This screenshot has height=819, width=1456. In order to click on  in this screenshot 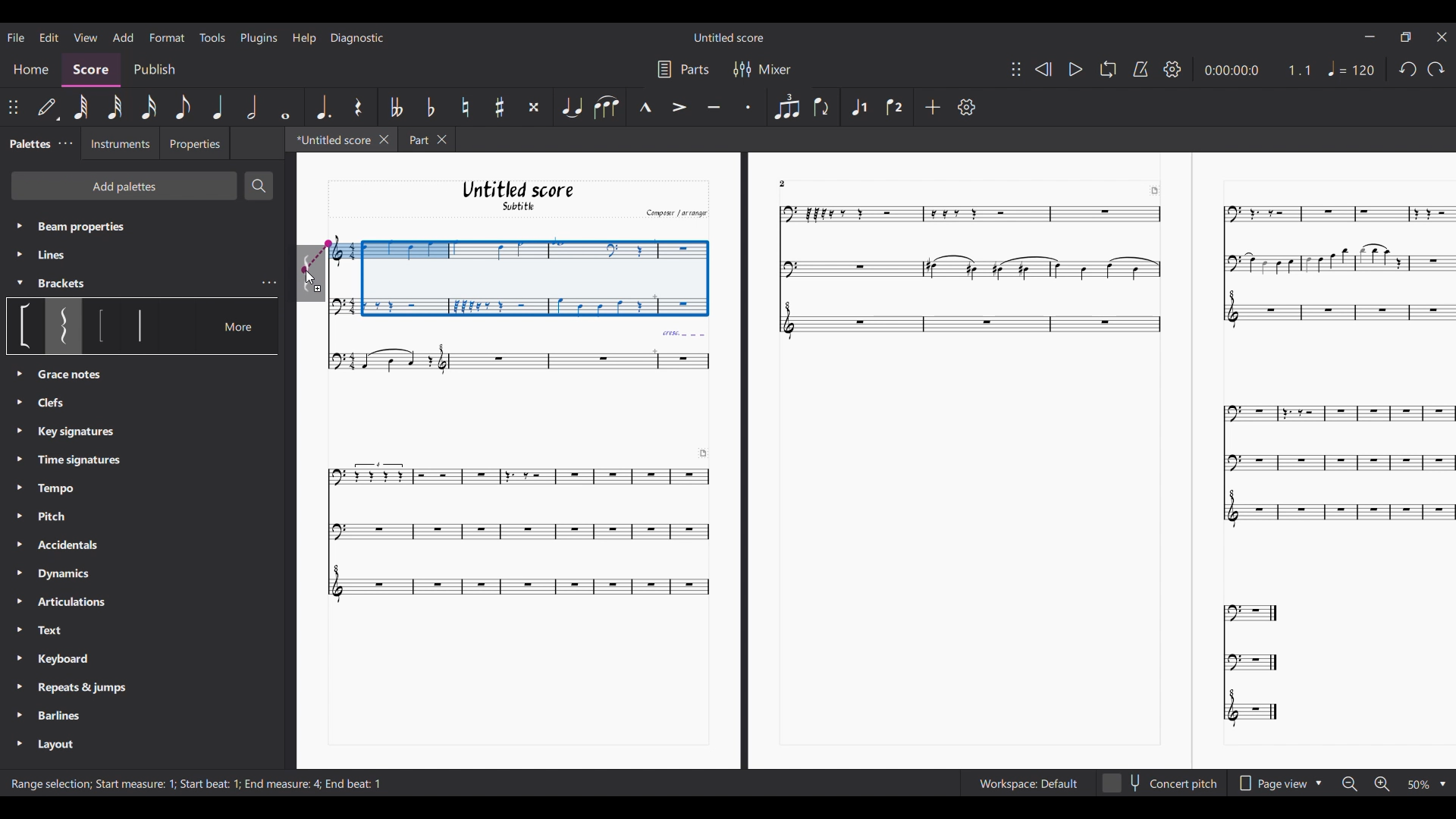, I will do `click(20, 461)`.